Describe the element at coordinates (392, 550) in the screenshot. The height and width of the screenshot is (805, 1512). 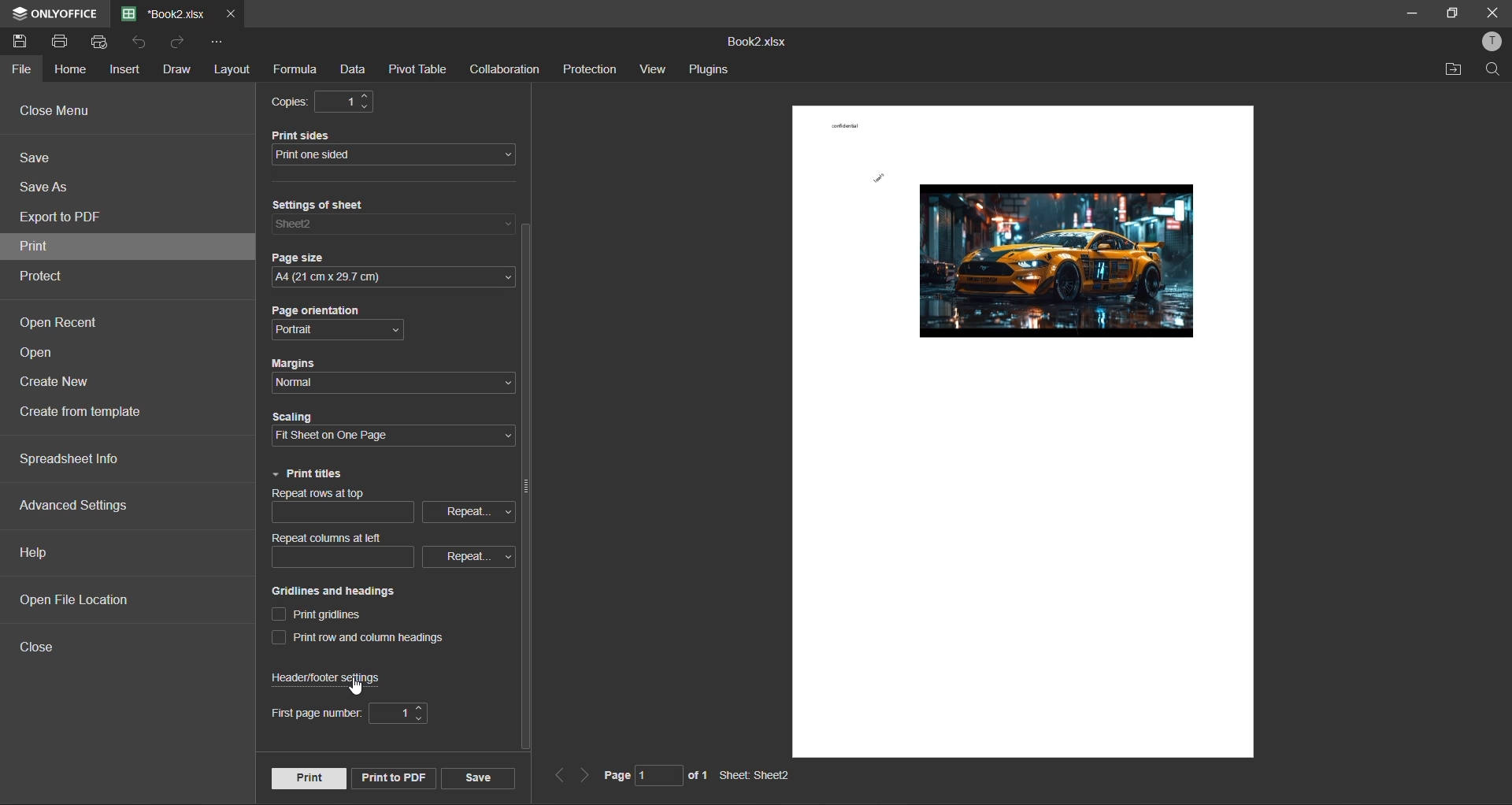
I see `repeat columns at left` at that location.